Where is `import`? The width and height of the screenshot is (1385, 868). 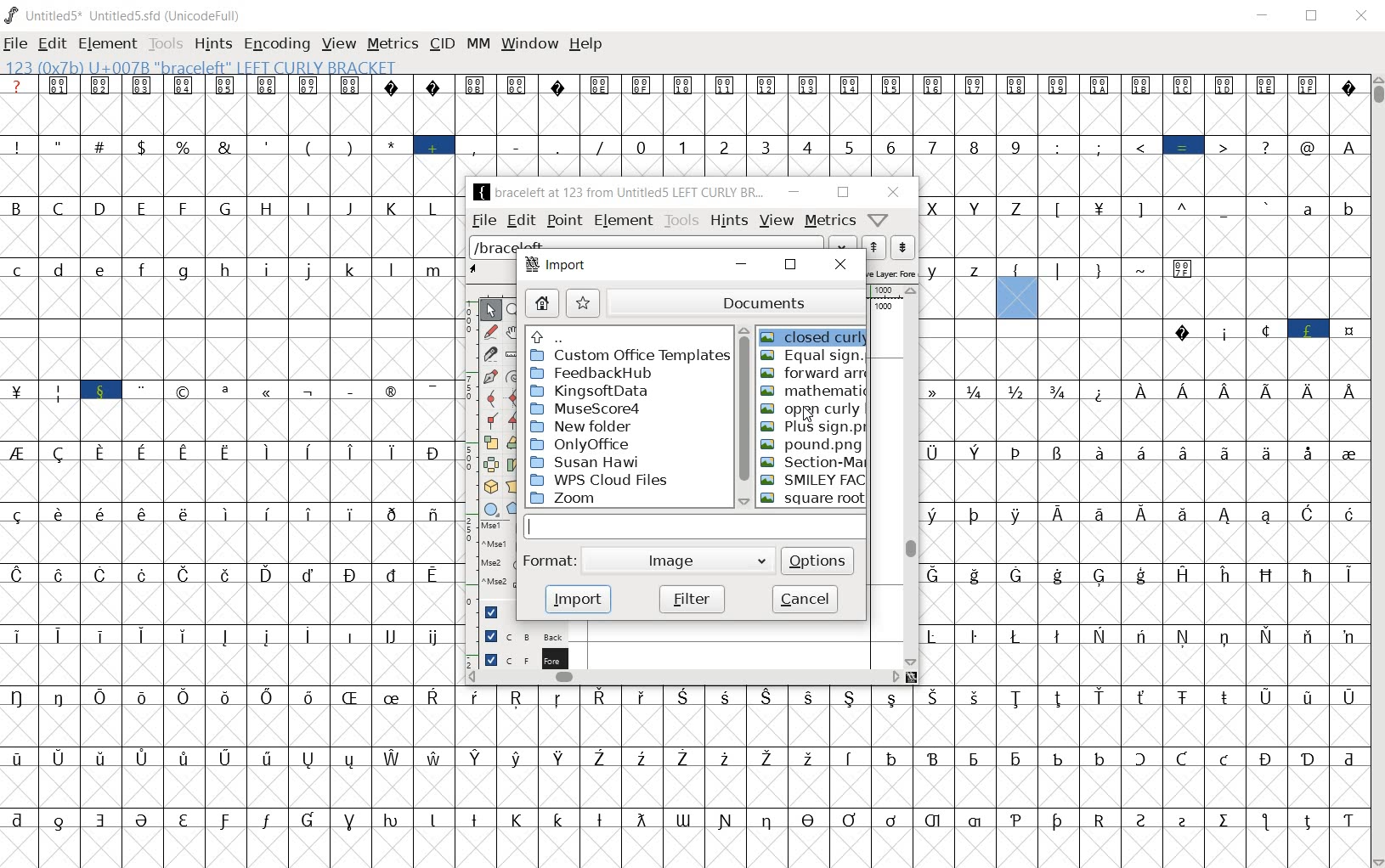 import is located at coordinates (555, 265).